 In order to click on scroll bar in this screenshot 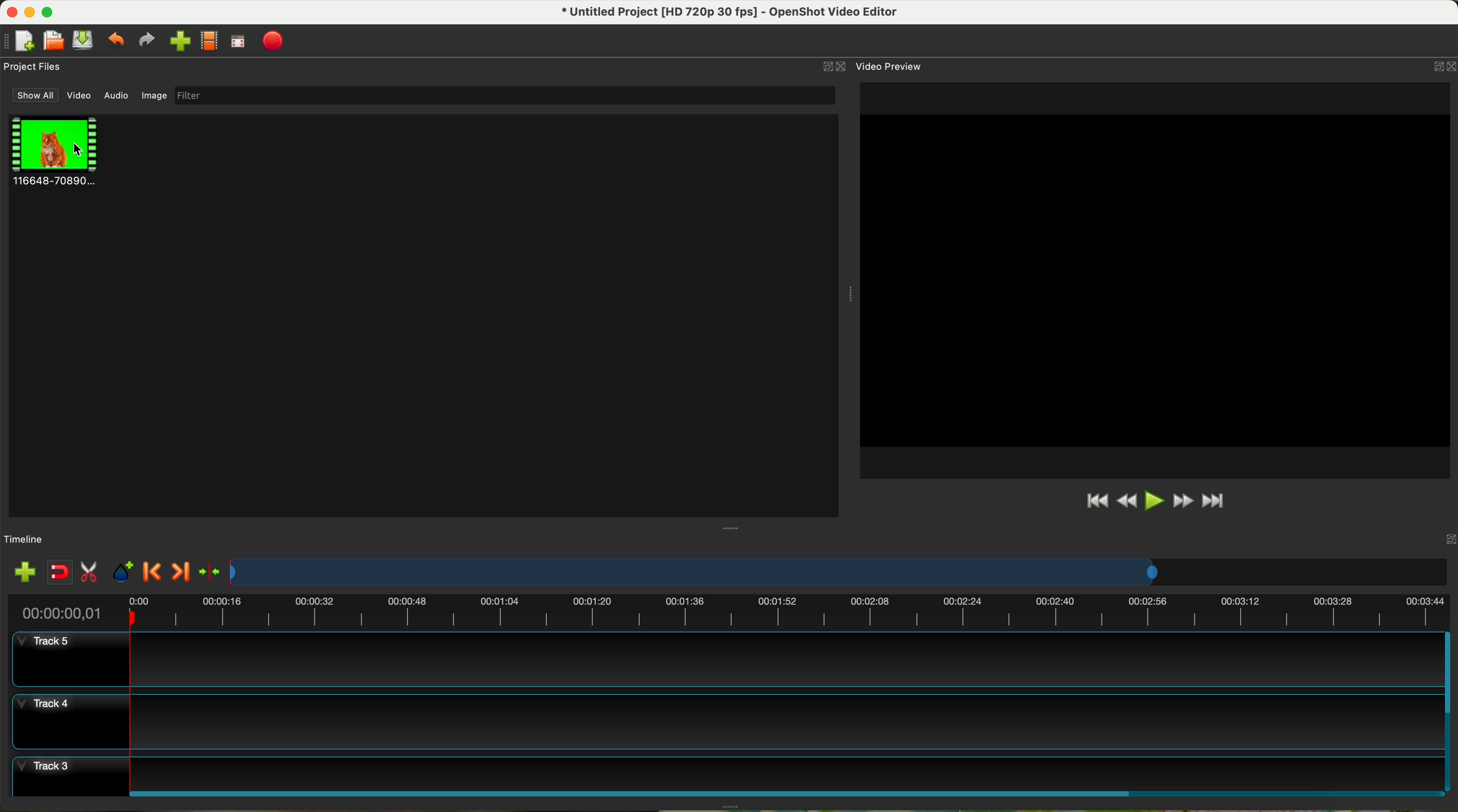, I will do `click(784, 792)`.